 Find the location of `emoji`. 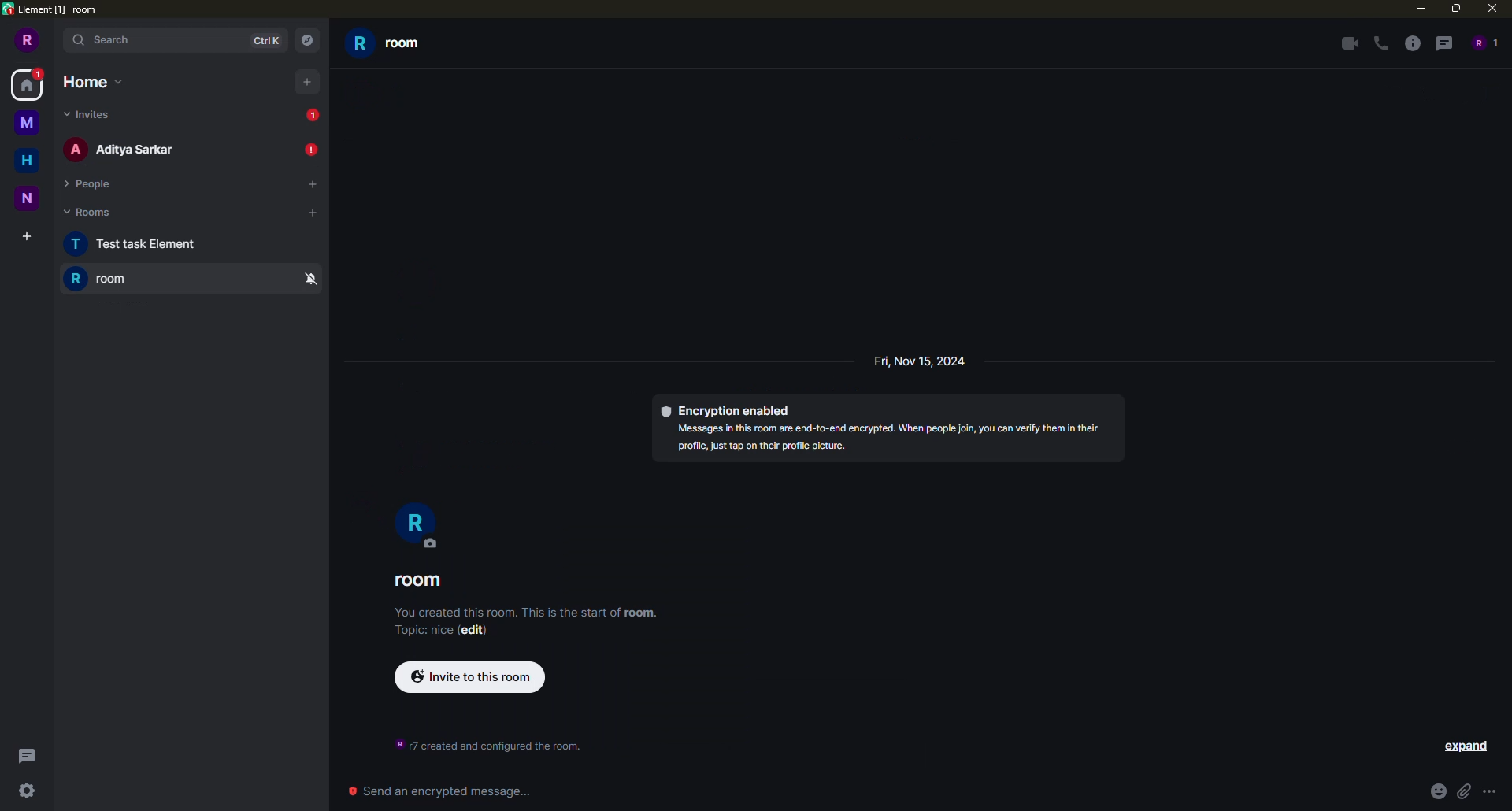

emoji is located at coordinates (1436, 794).